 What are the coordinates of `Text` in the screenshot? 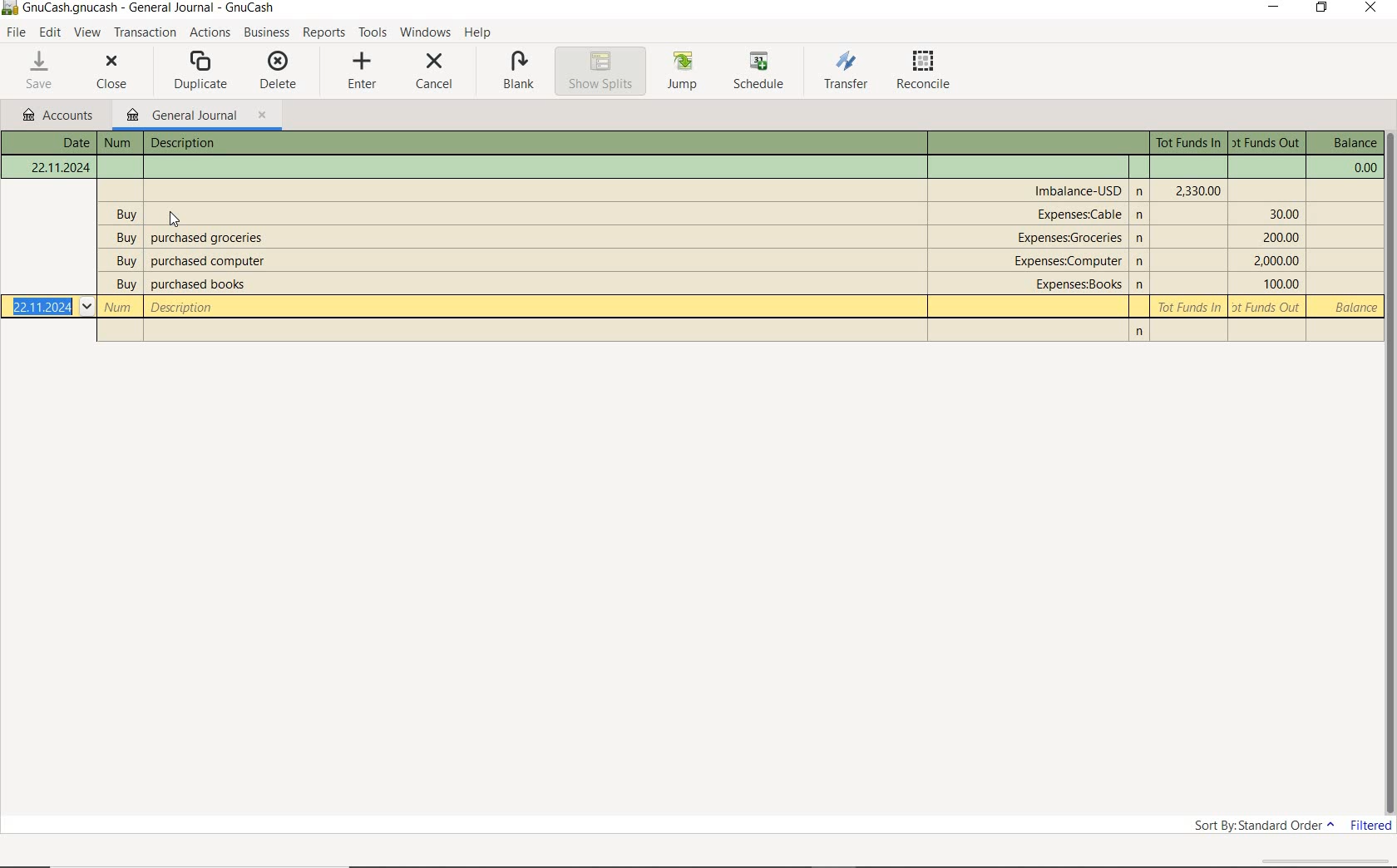 It's located at (1079, 190).